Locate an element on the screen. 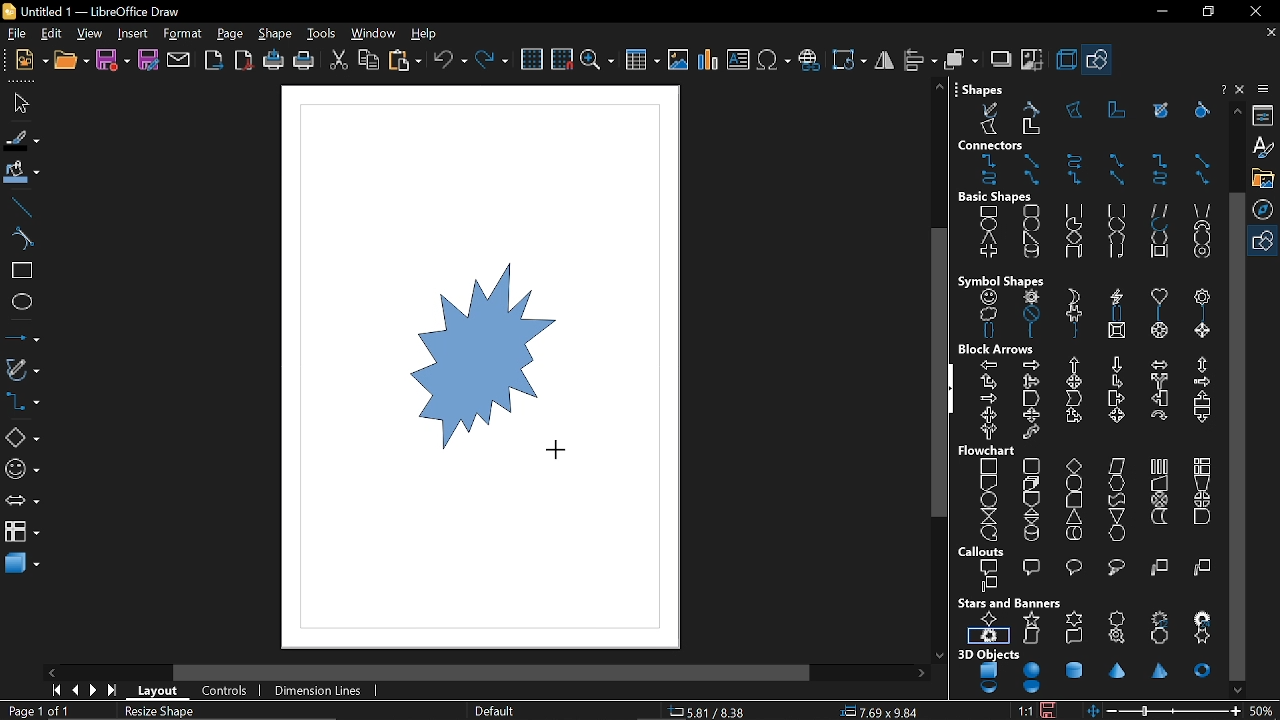  connectors is located at coordinates (21, 405).